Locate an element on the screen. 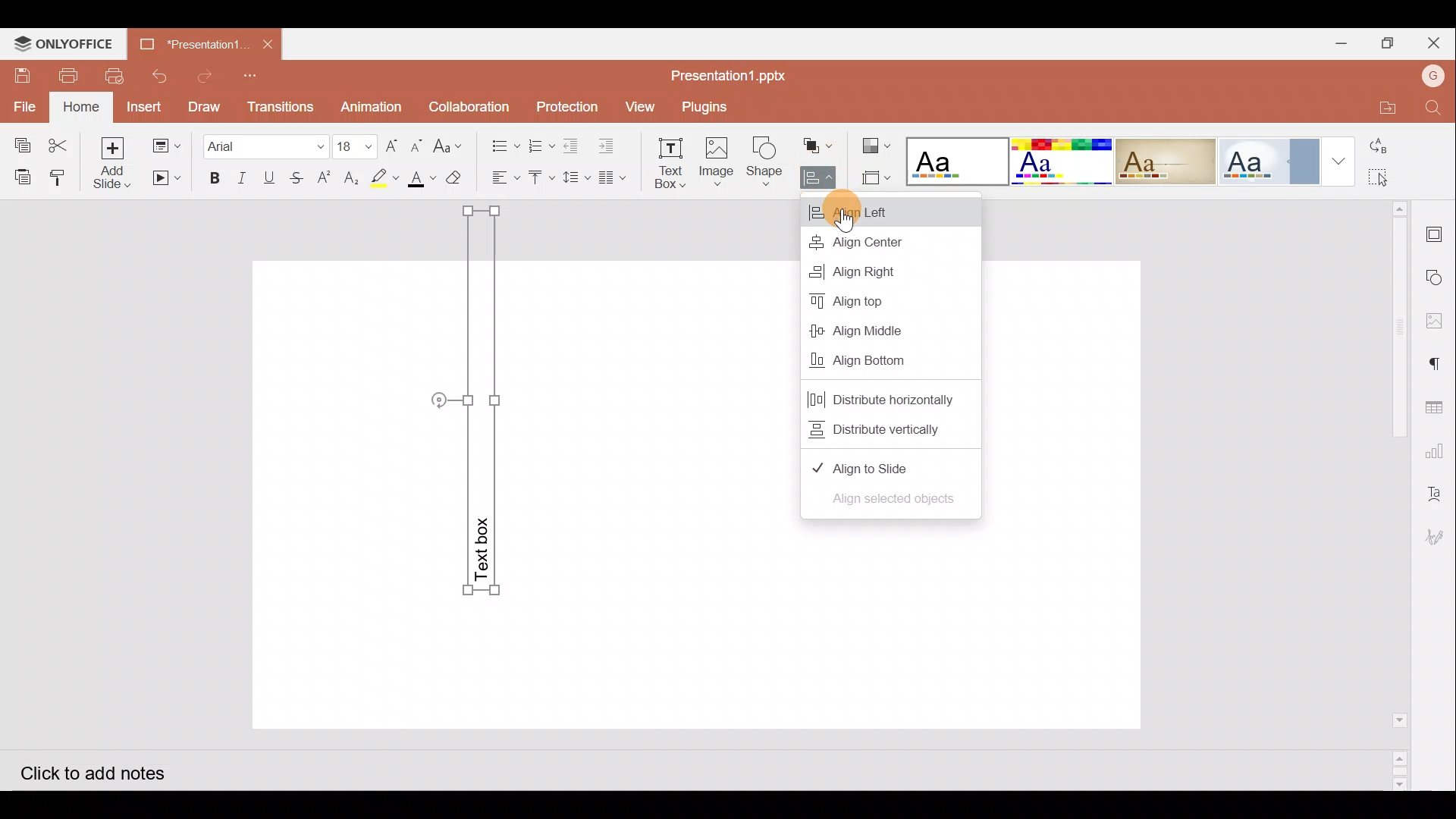  Vertical align is located at coordinates (541, 180).